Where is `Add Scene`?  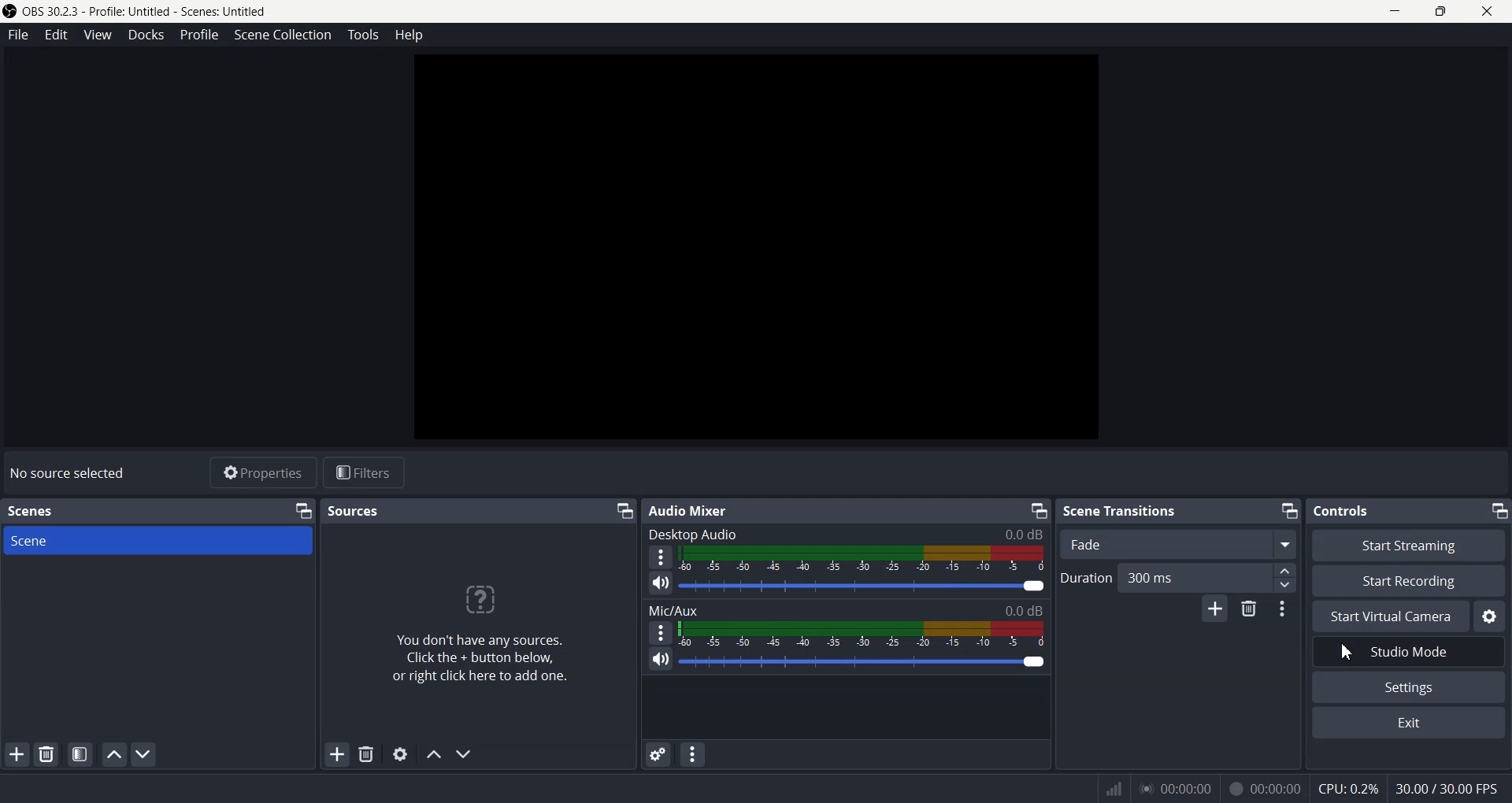
Add Scene is located at coordinates (13, 754).